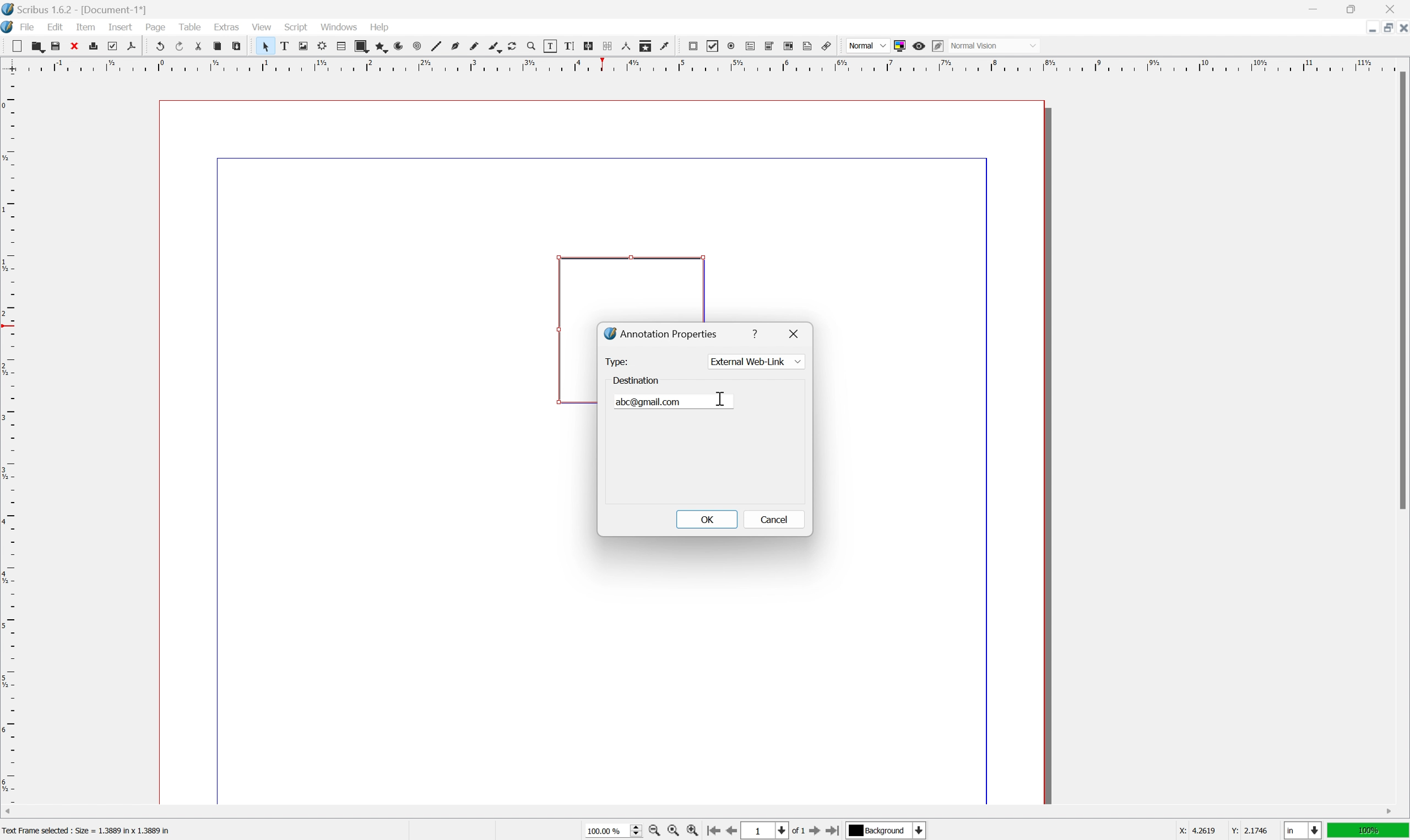 The height and width of the screenshot is (840, 1410). I want to click on restore down, so click(1383, 28).